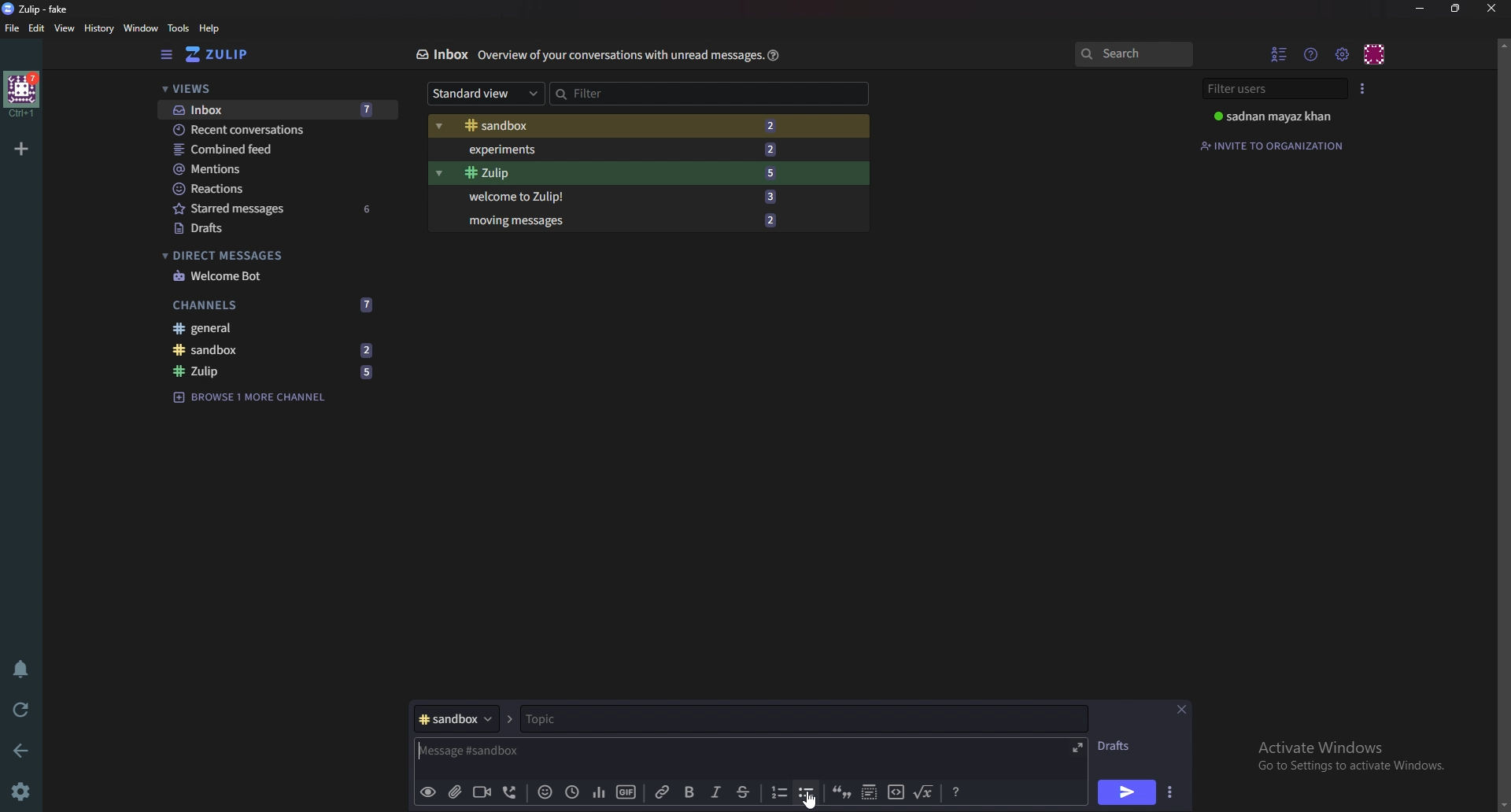  What do you see at coordinates (1172, 792) in the screenshot?
I see `Send options` at bounding box center [1172, 792].